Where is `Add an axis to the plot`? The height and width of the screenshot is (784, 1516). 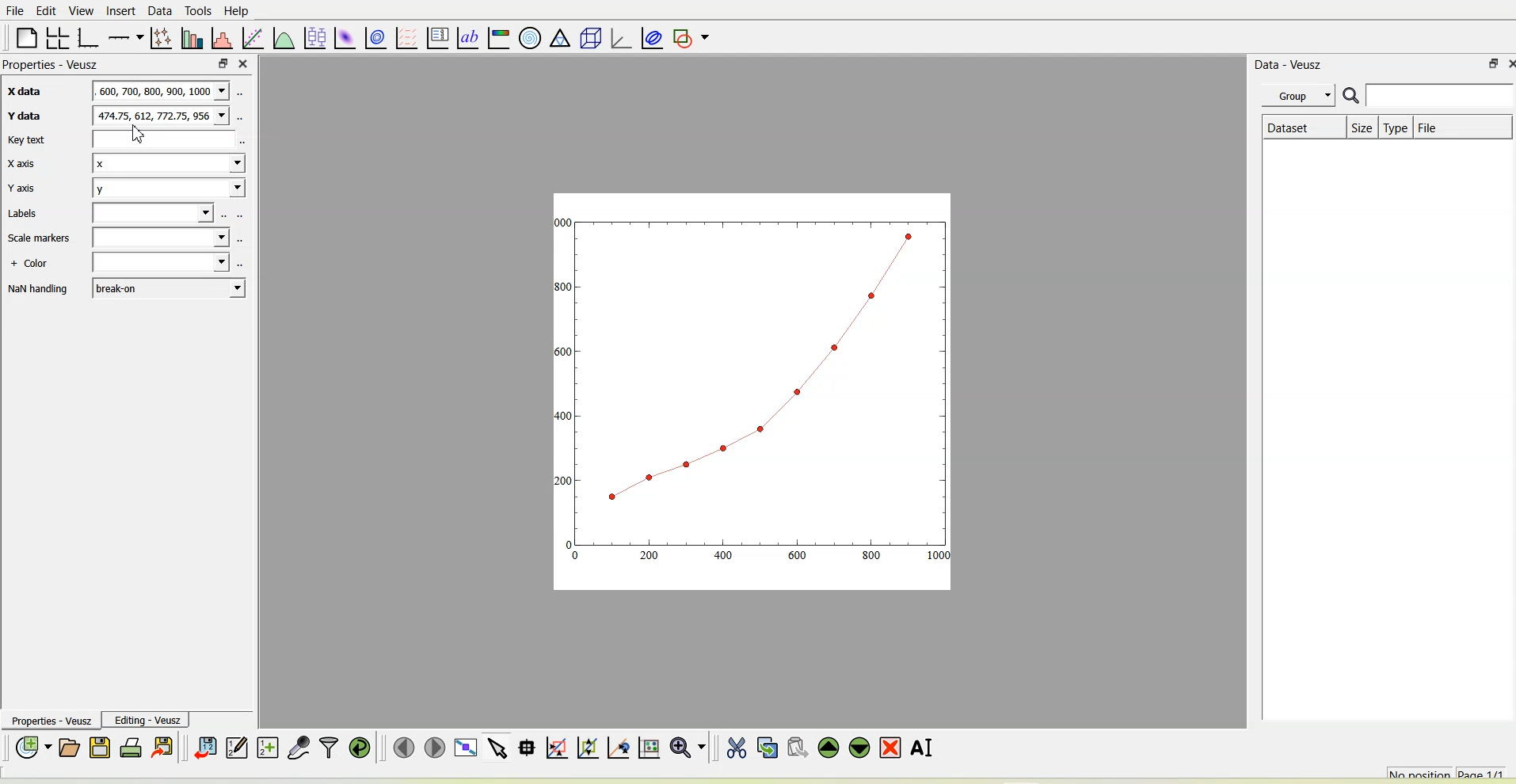 Add an axis to the plot is located at coordinates (124, 37).